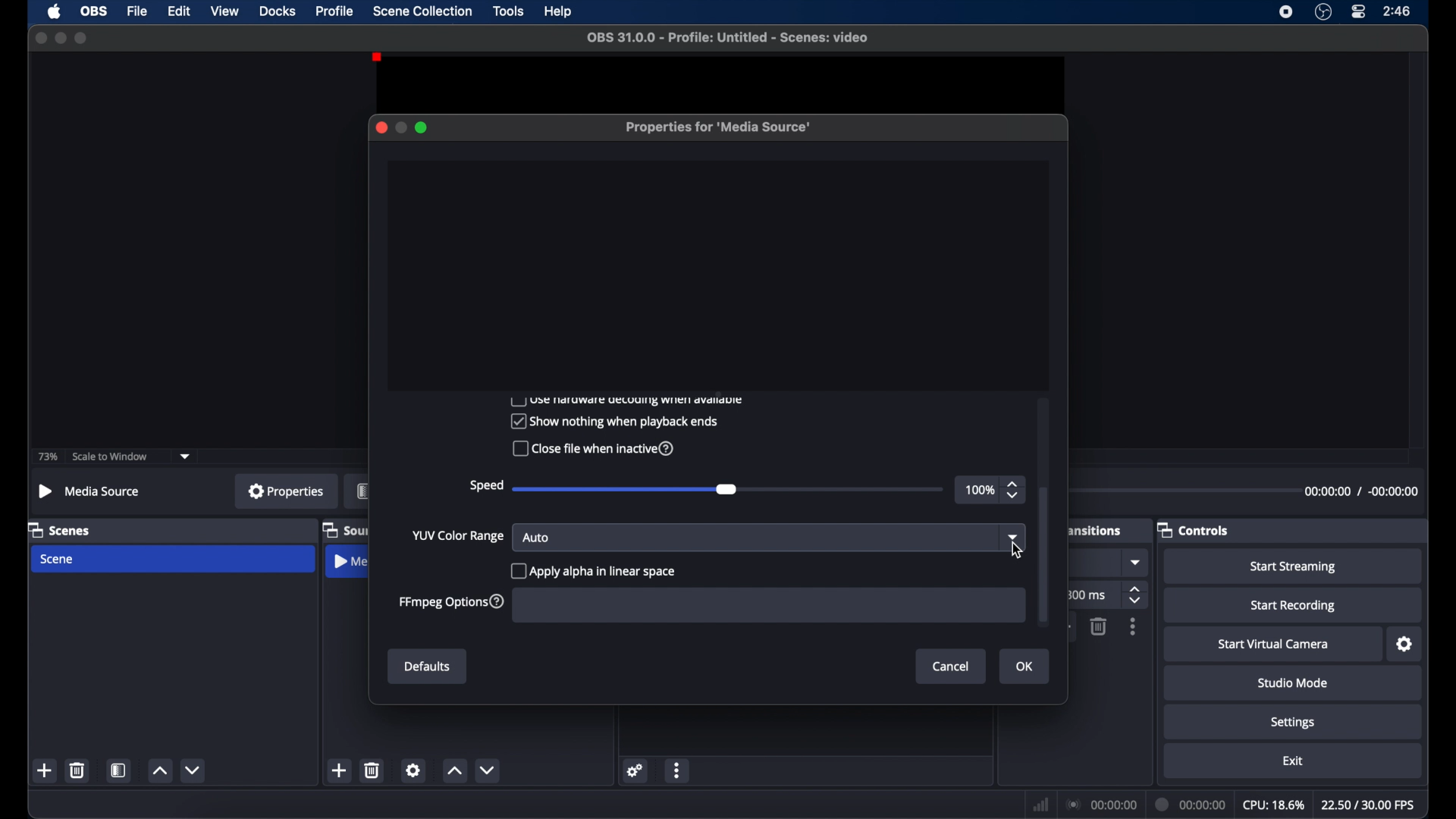 Image resolution: width=1456 pixels, height=819 pixels. I want to click on close, so click(381, 127).